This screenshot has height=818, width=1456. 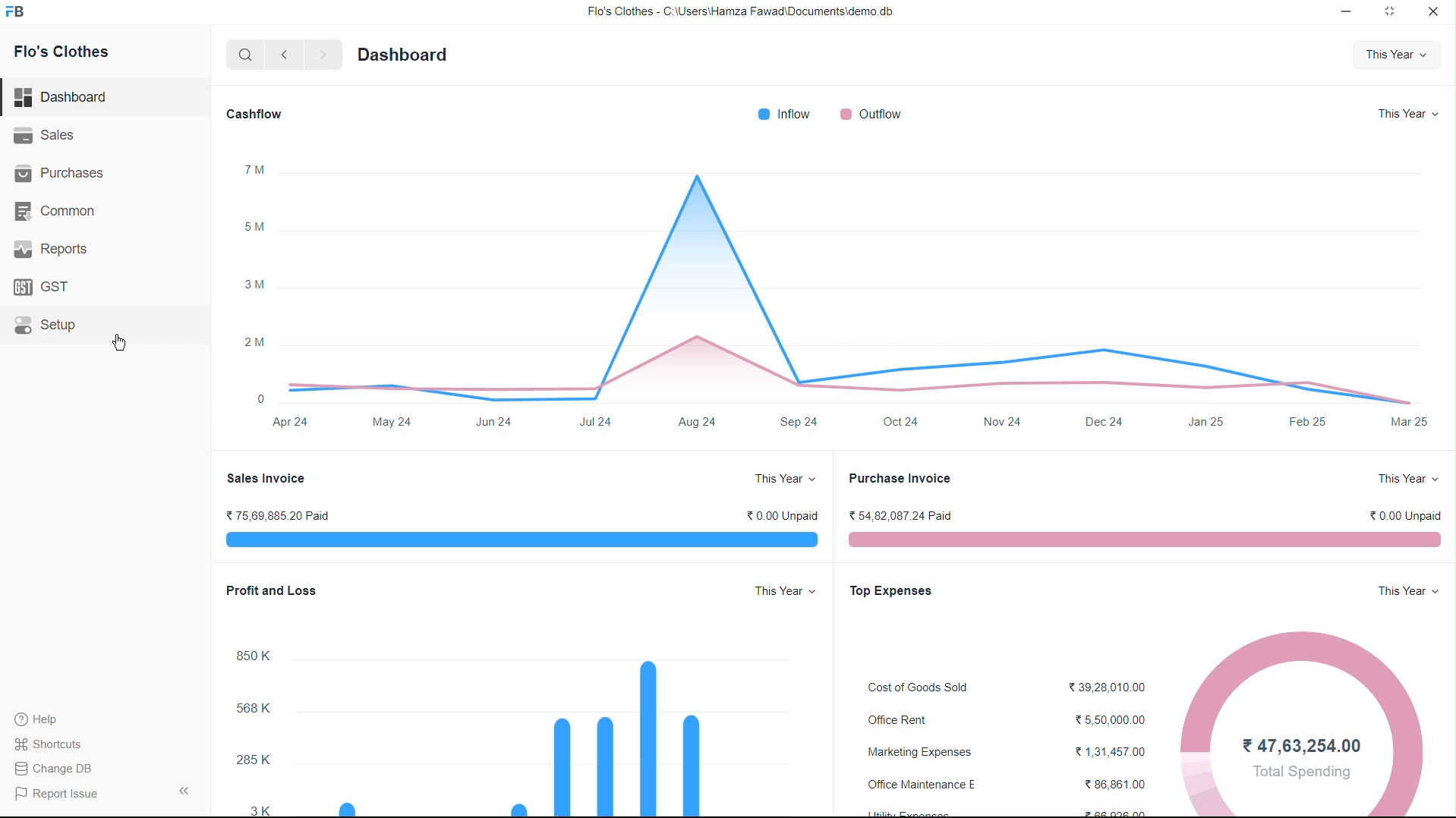 What do you see at coordinates (919, 783) in the screenshot?
I see `Office Maintenance E` at bounding box center [919, 783].